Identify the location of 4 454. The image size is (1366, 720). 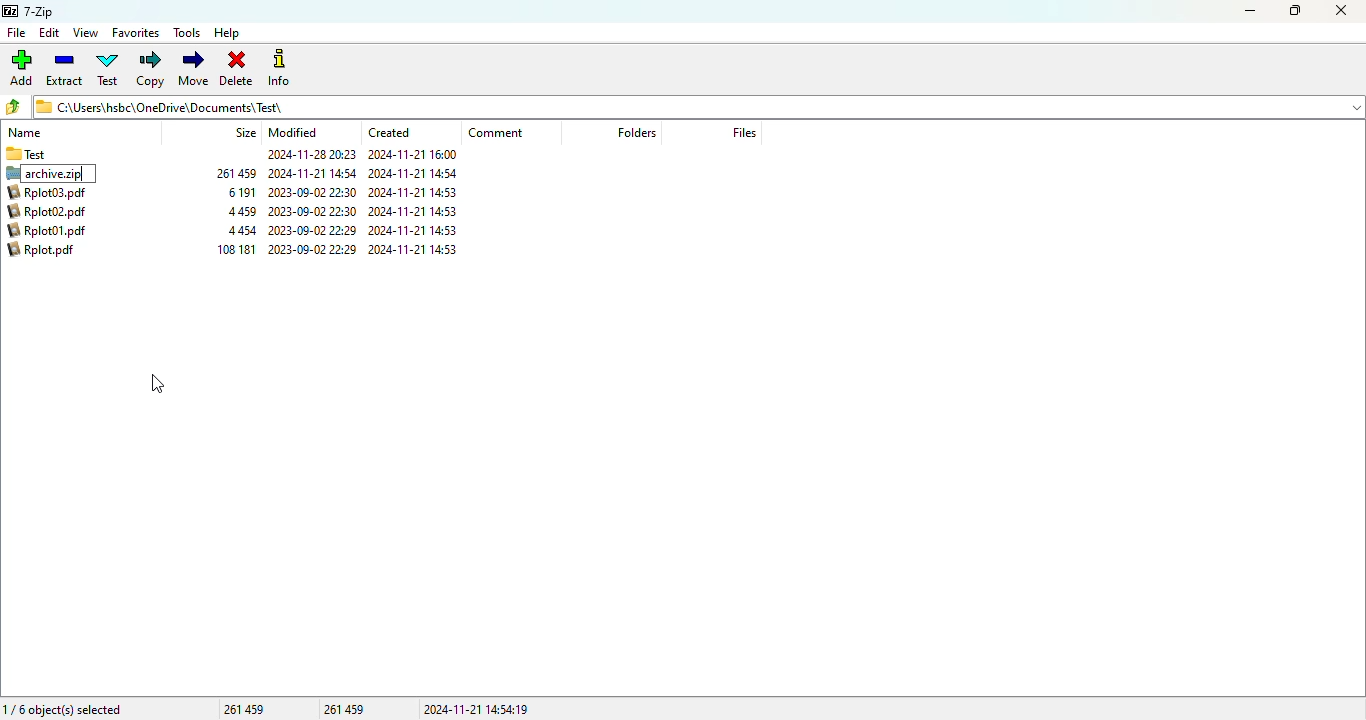
(242, 230).